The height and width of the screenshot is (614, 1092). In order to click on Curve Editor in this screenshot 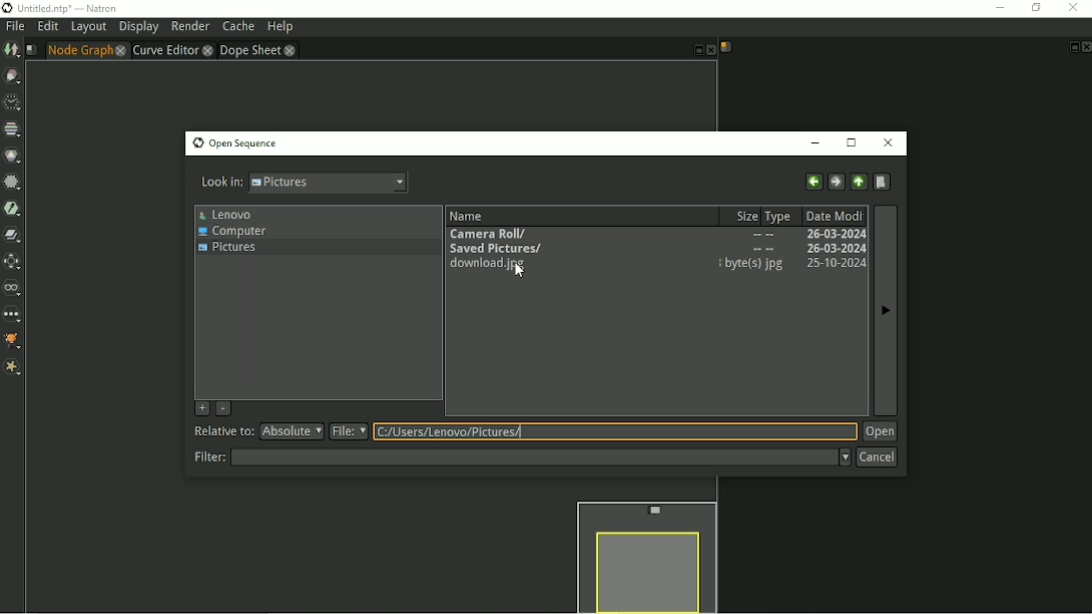, I will do `click(171, 50)`.